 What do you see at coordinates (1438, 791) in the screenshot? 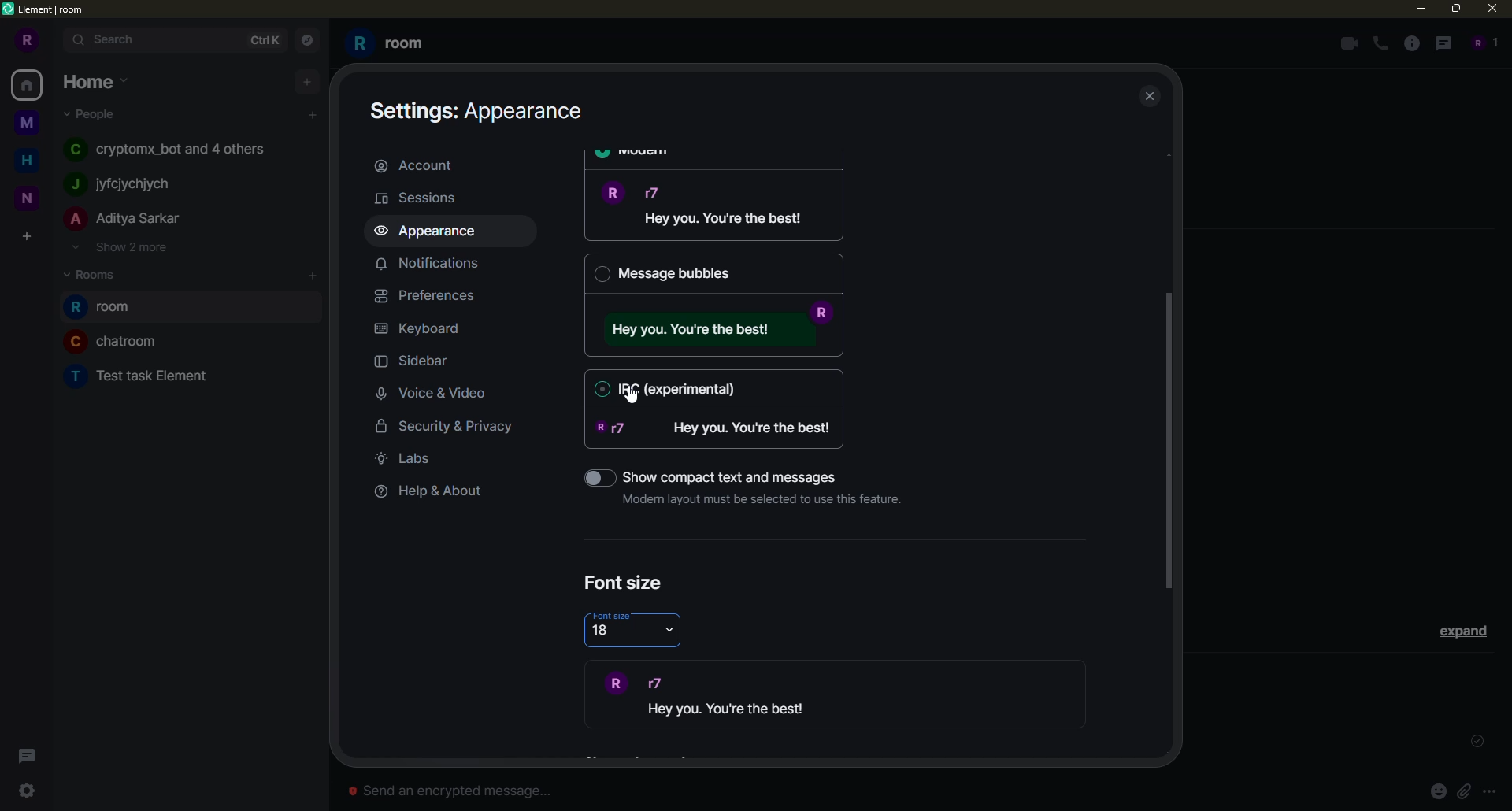
I see `emoji` at bounding box center [1438, 791].